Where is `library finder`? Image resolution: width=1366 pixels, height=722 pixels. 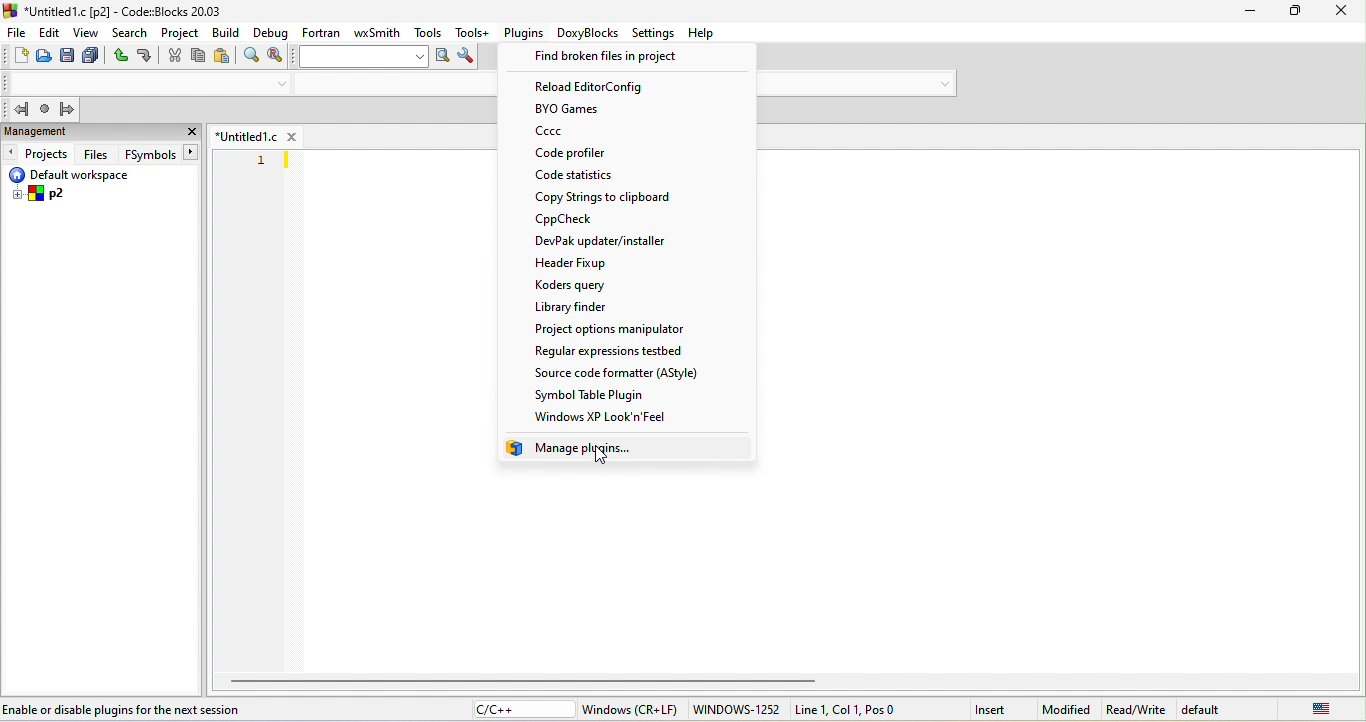
library finder is located at coordinates (613, 308).